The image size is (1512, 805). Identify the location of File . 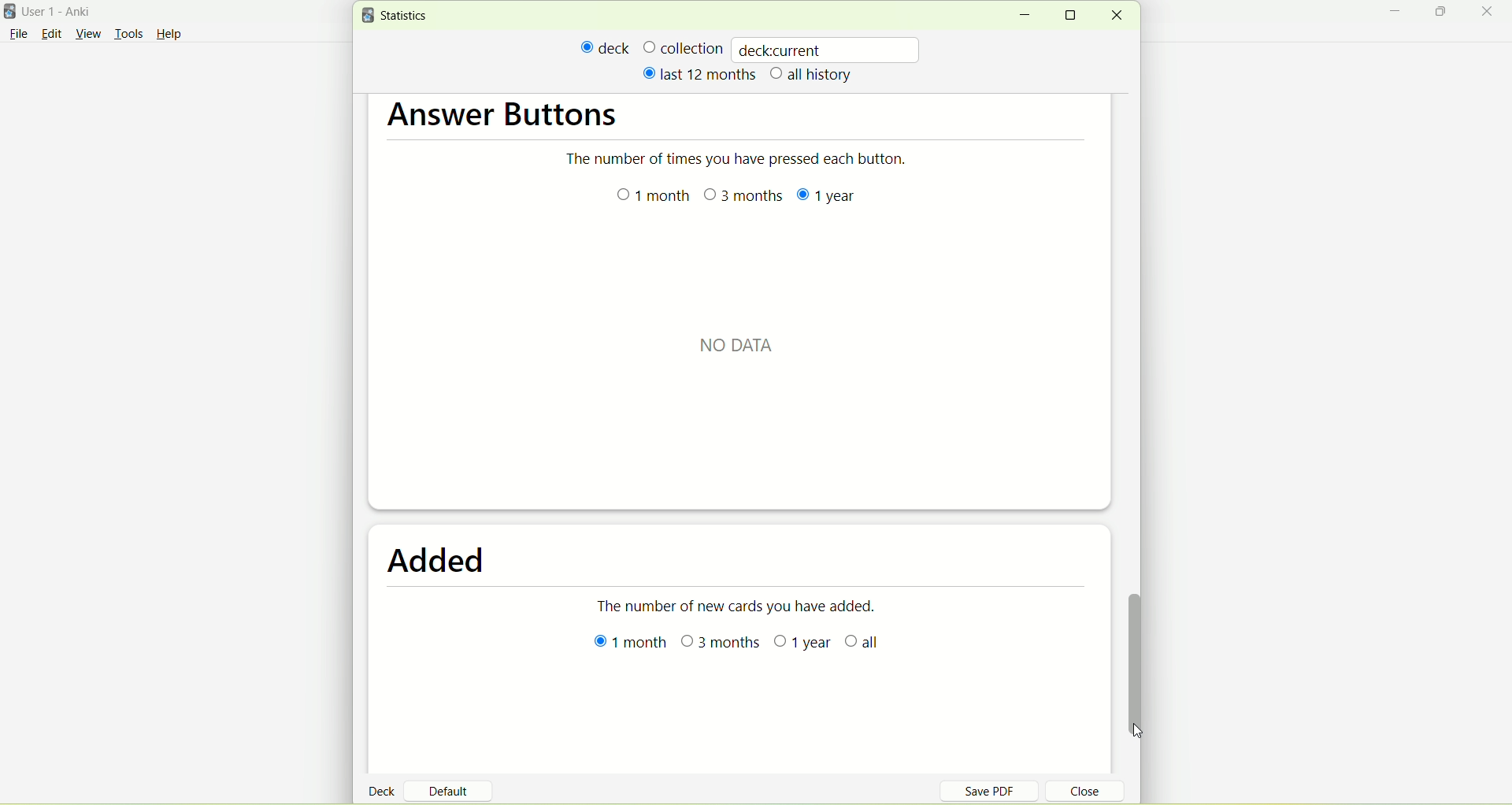
(18, 34).